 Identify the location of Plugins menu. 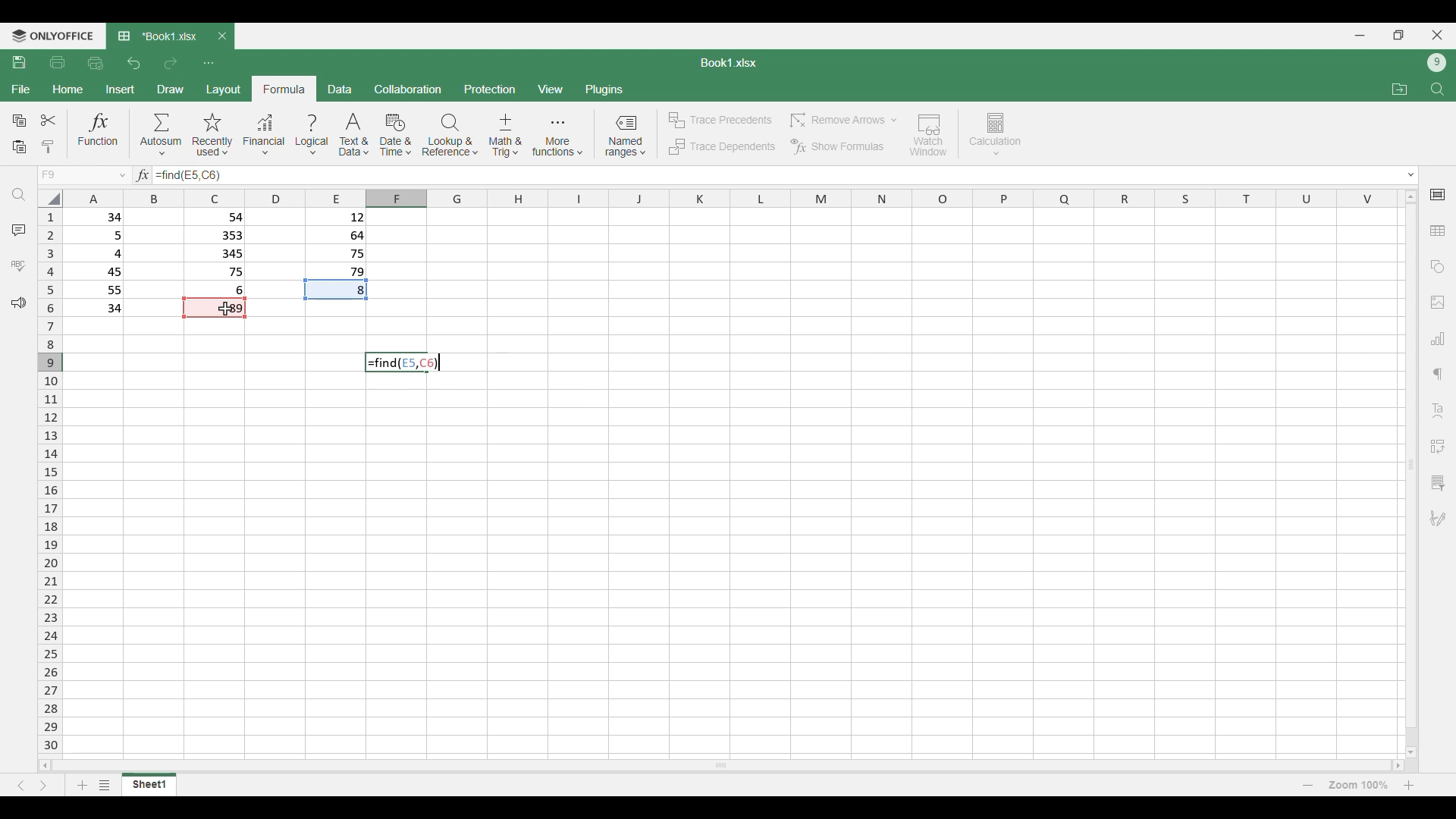
(604, 89).